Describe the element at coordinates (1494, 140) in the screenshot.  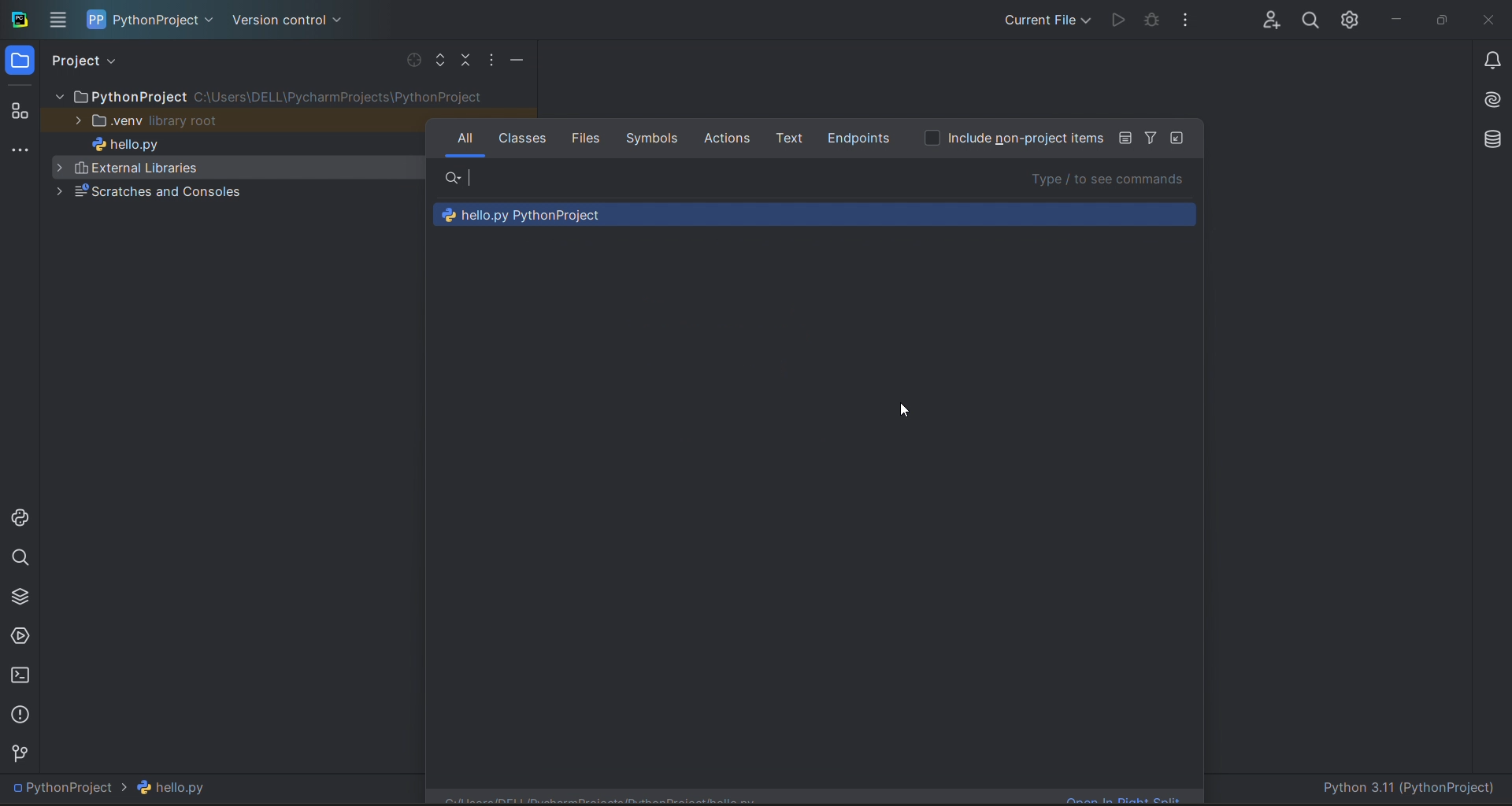
I see `database` at that location.